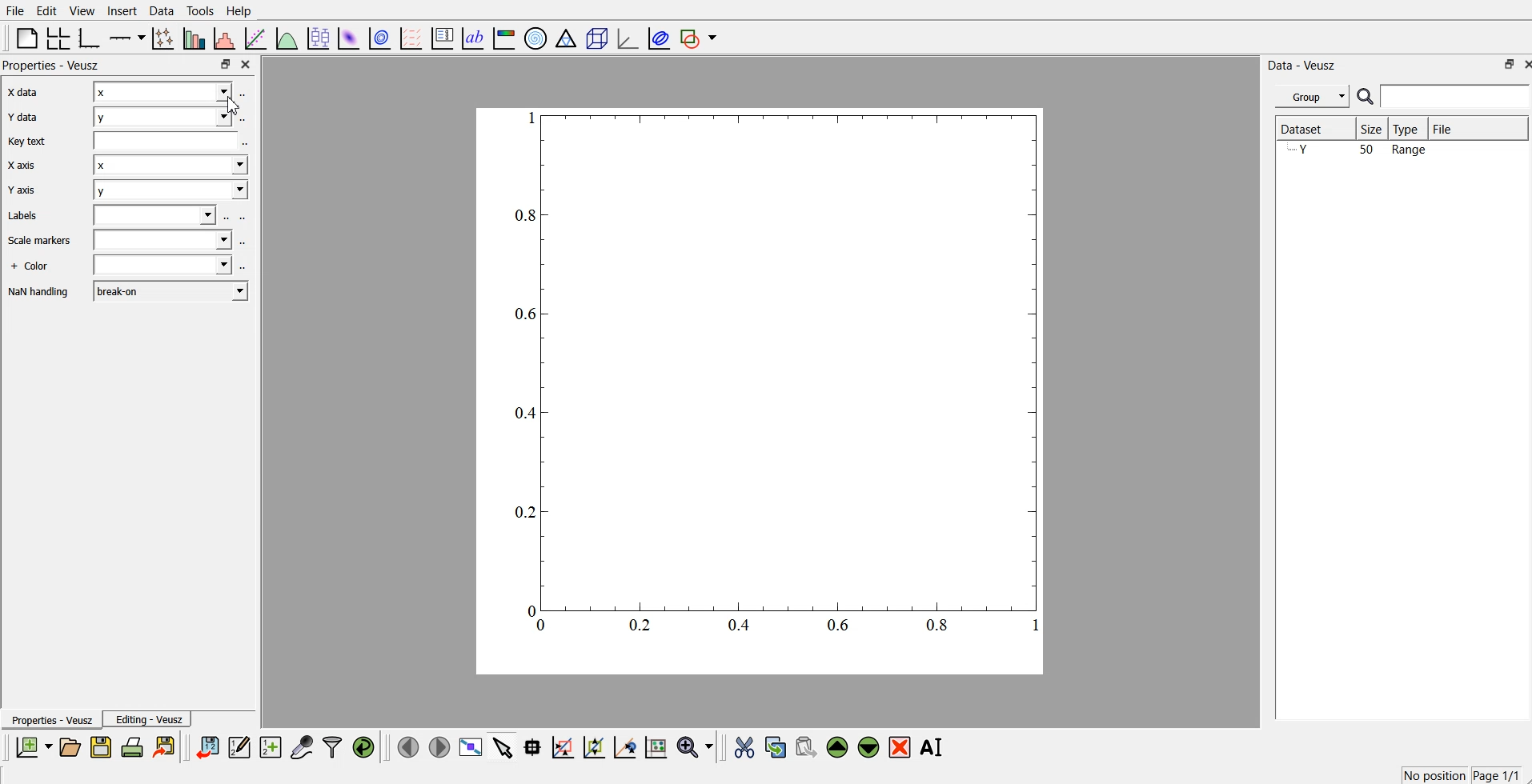  Describe the element at coordinates (162, 11) in the screenshot. I see `Data` at that location.